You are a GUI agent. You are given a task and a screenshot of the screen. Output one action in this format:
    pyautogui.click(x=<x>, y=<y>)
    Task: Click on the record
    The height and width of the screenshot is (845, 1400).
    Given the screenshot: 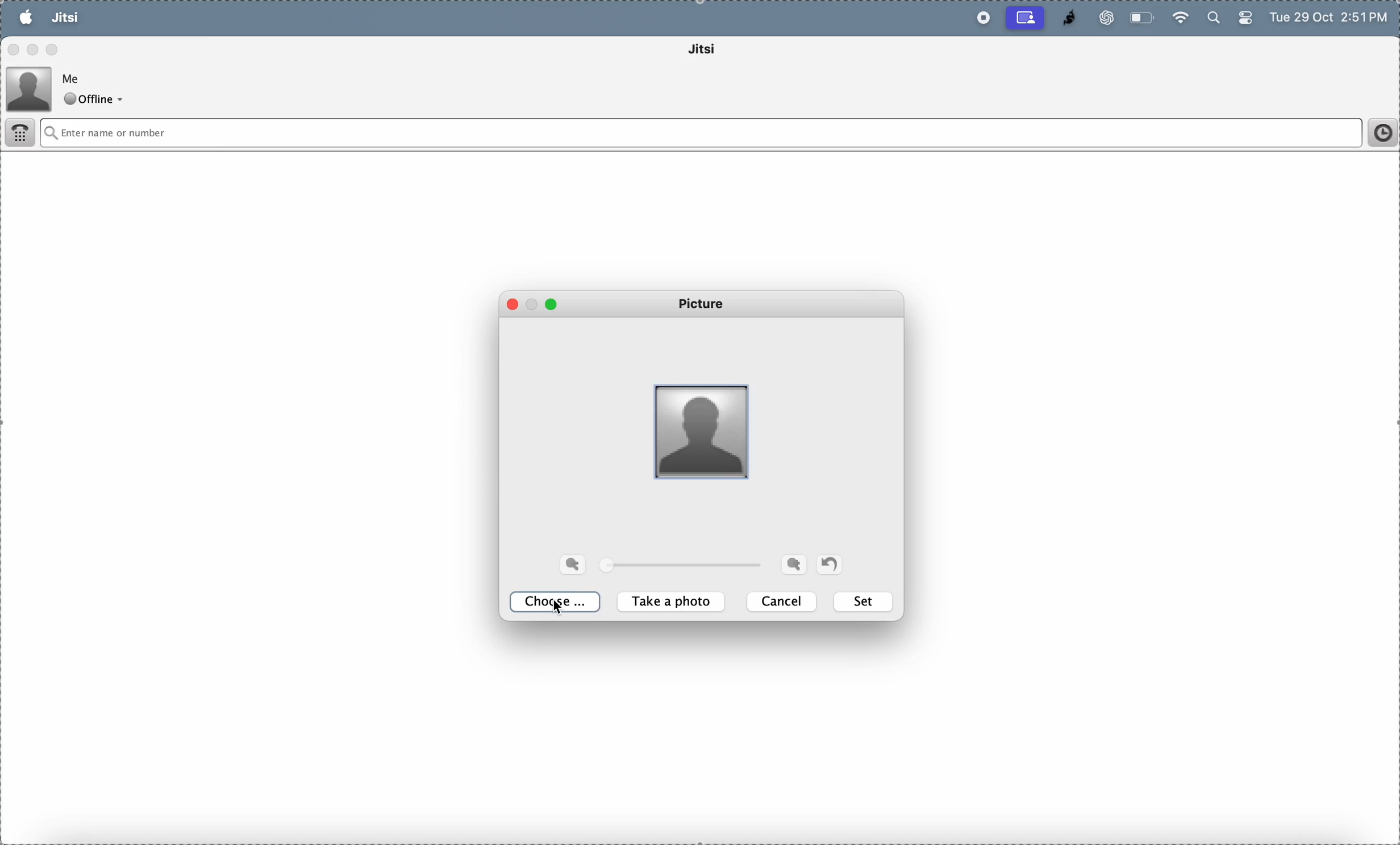 What is the action you would take?
    pyautogui.click(x=980, y=18)
    